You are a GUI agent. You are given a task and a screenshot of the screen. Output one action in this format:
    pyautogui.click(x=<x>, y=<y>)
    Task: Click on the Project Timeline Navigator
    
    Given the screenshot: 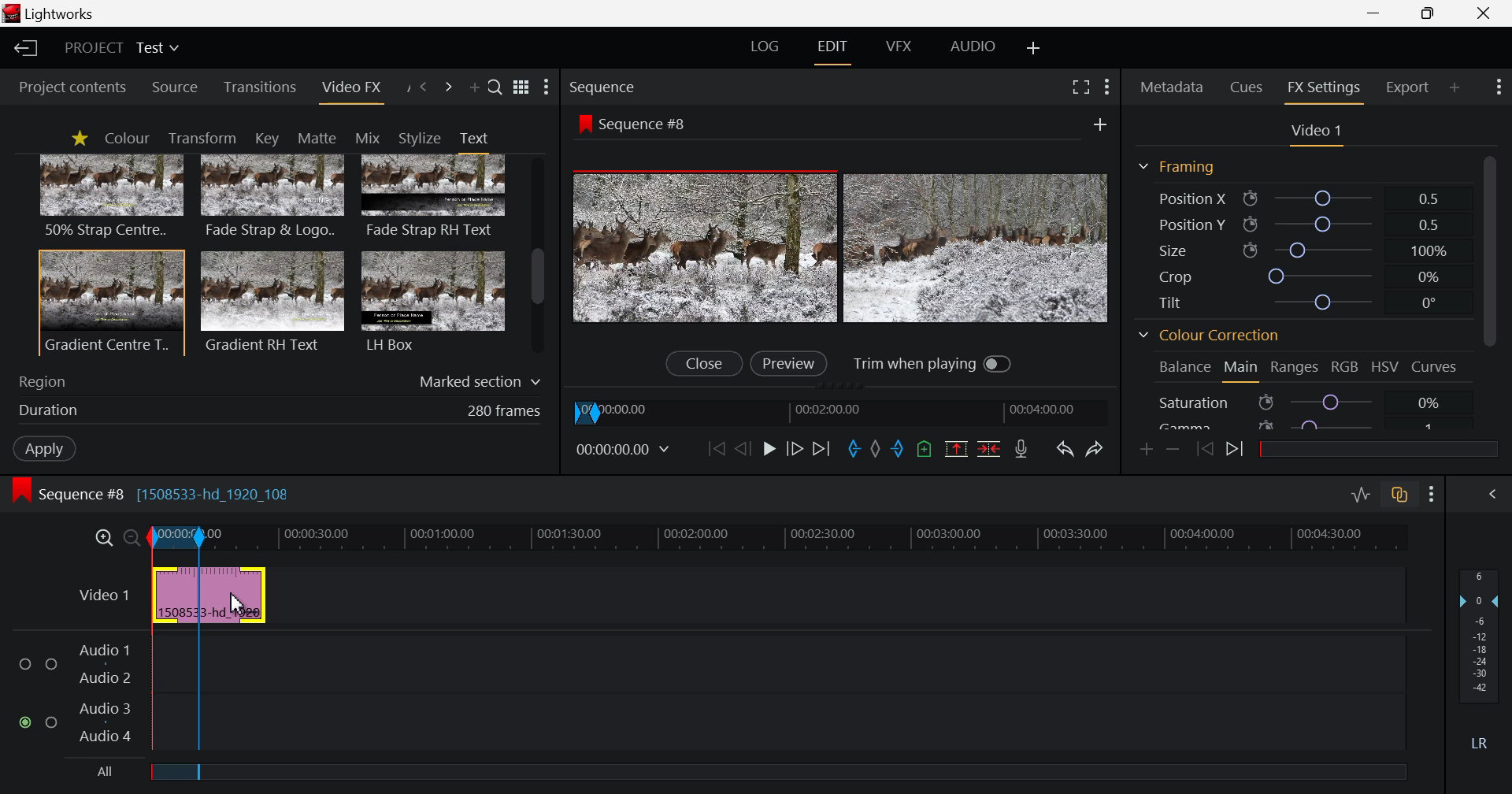 What is the action you would take?
    pyautogui.click(x=845, y=409)
    